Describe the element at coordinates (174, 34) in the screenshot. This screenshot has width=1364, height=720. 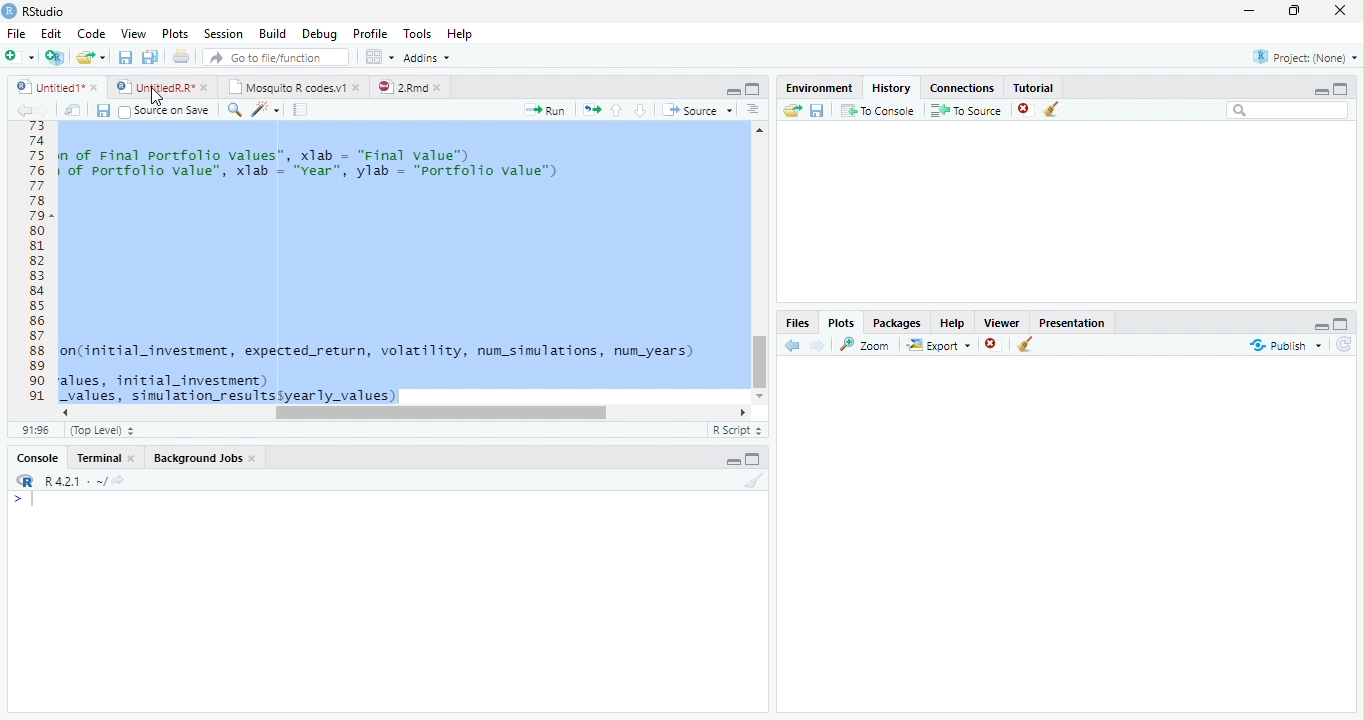
I see `Plots` at that location.